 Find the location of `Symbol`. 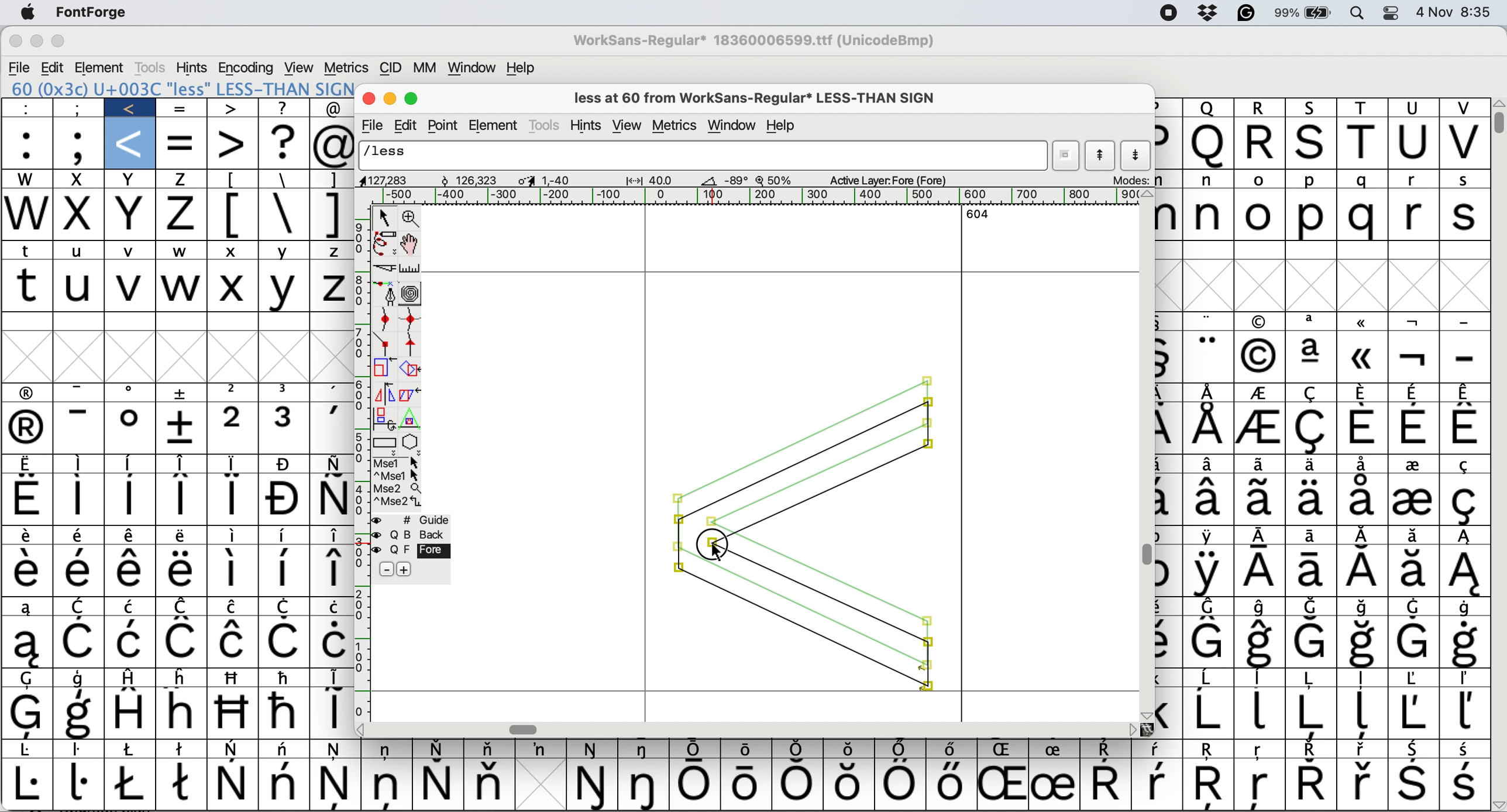

Symbol is located at coordinates (180, 498).